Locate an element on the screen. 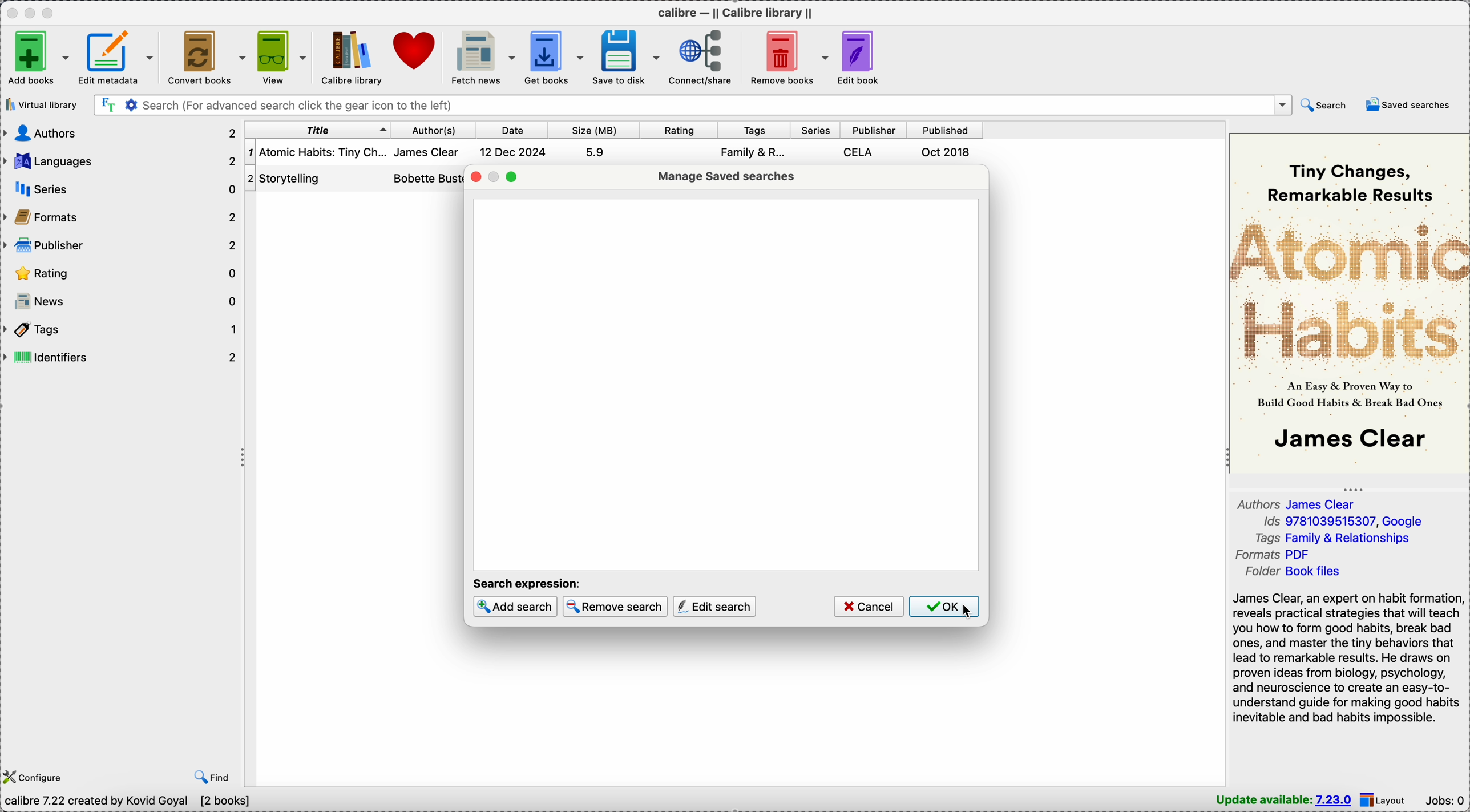 This screenshot has height=812, width=1470. get books is located at coordinates (555, 56).